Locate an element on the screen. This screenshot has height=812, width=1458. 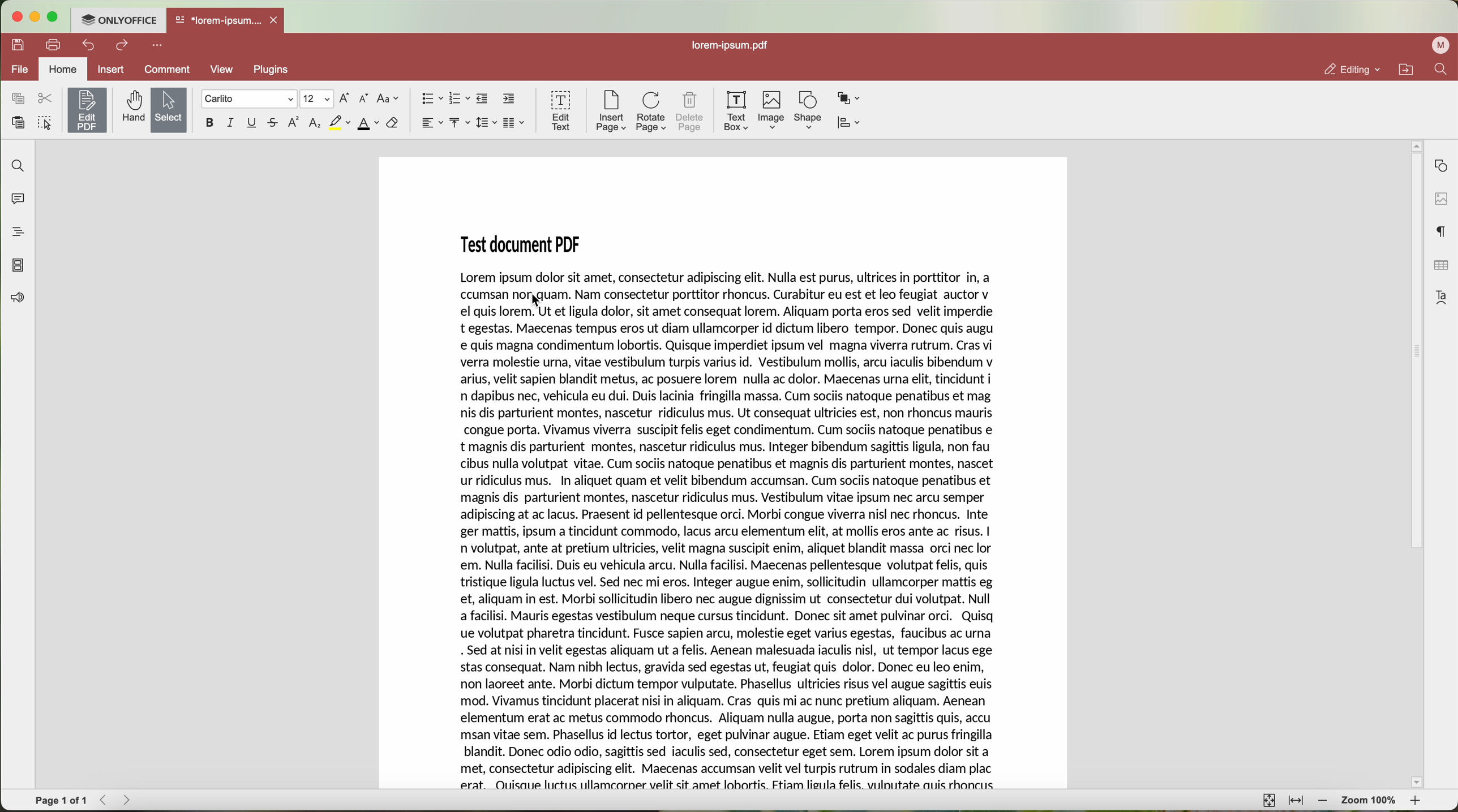
minimize is located at coordinates (37, 15).